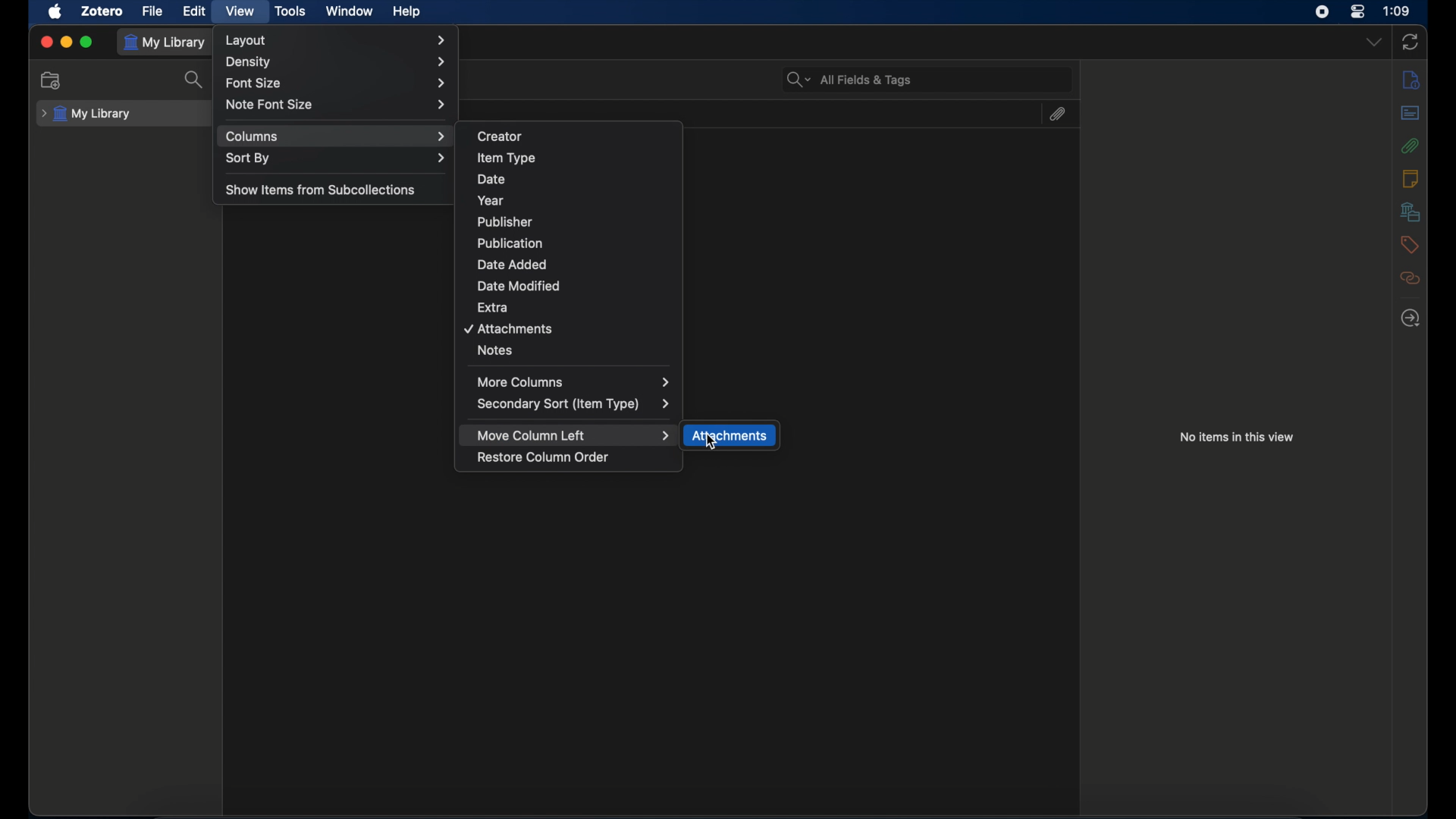 Image resolution: width=1456 pixels, height=819 pixels. I want to click on item type, so click(507, 158).